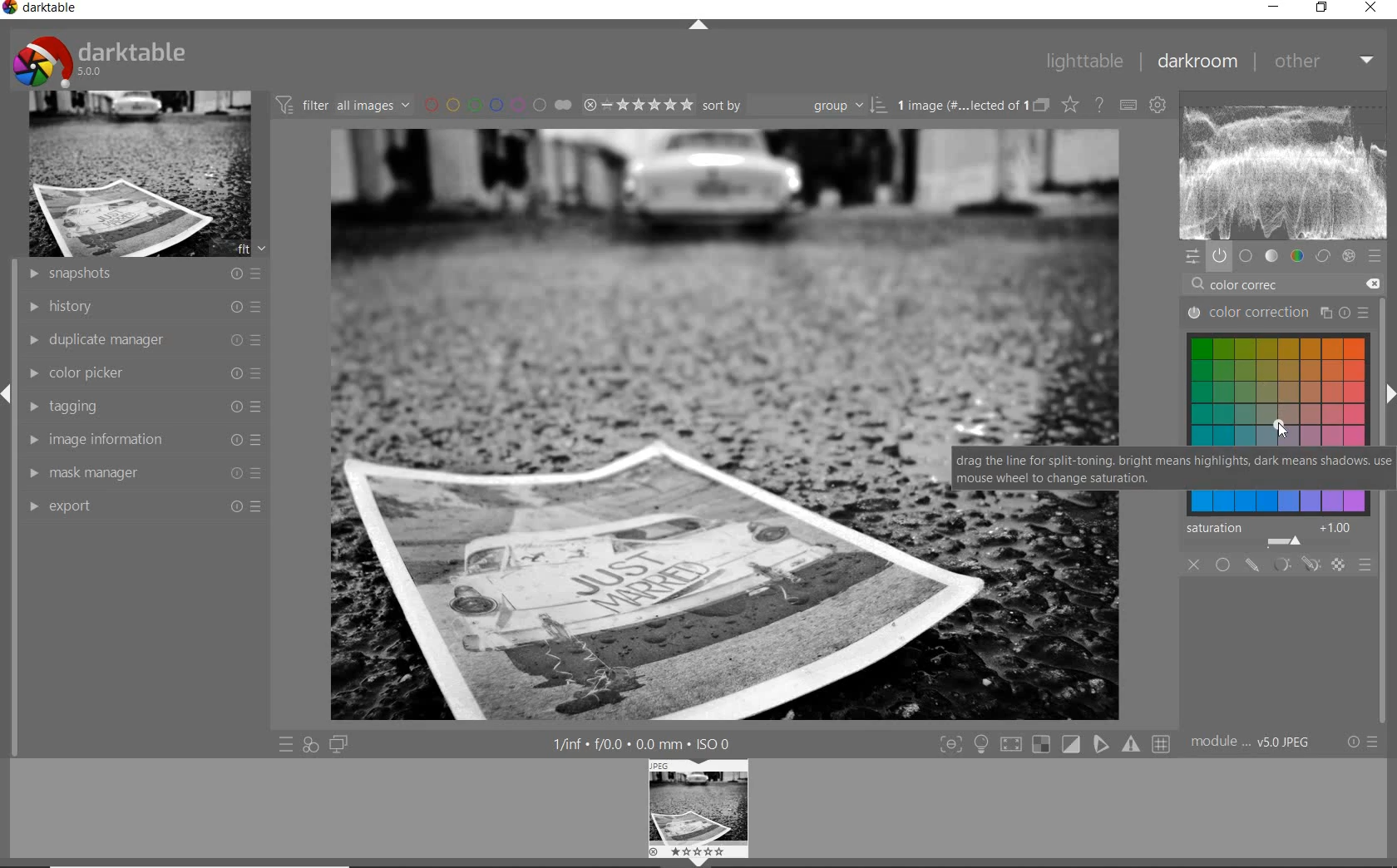 This screenshot has width=1397, height=868. What do you see at coordinates (286, 742) in the screenshot?
I see `quick access to preset` at bounding box center [286, 742].